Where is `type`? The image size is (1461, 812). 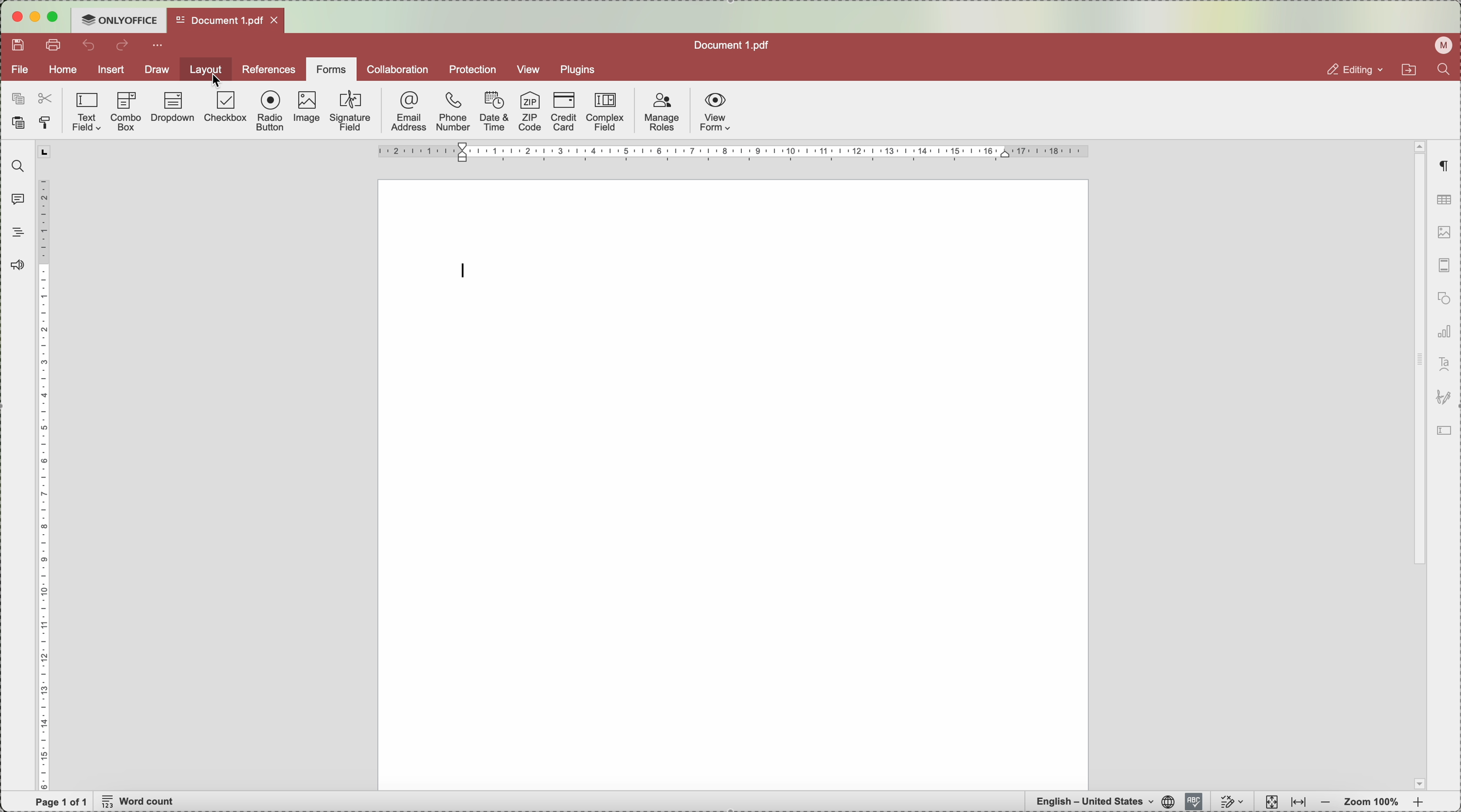 type is located at coordinates (466, 269).